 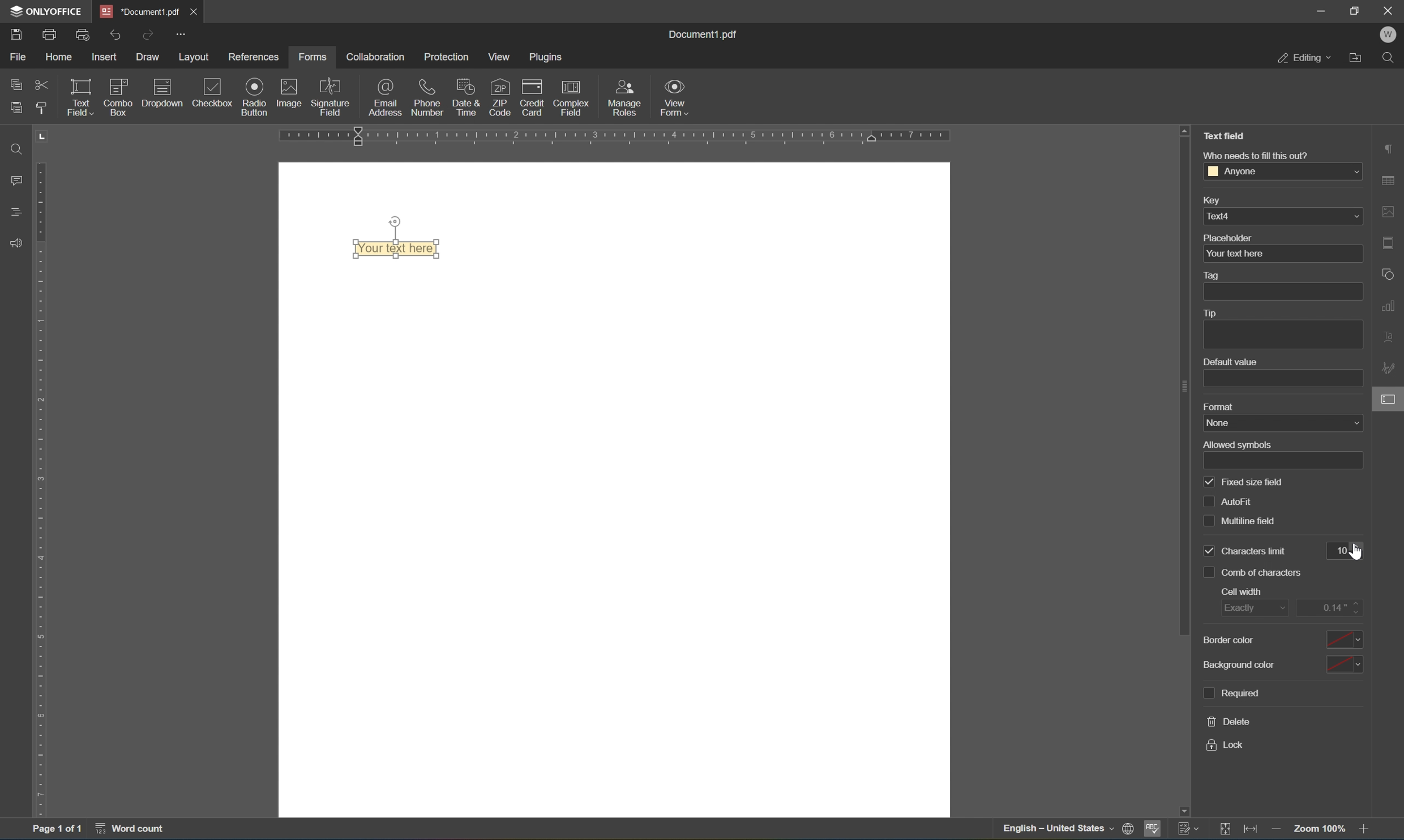 I want to click on ruler, so click(x=43, y=486).